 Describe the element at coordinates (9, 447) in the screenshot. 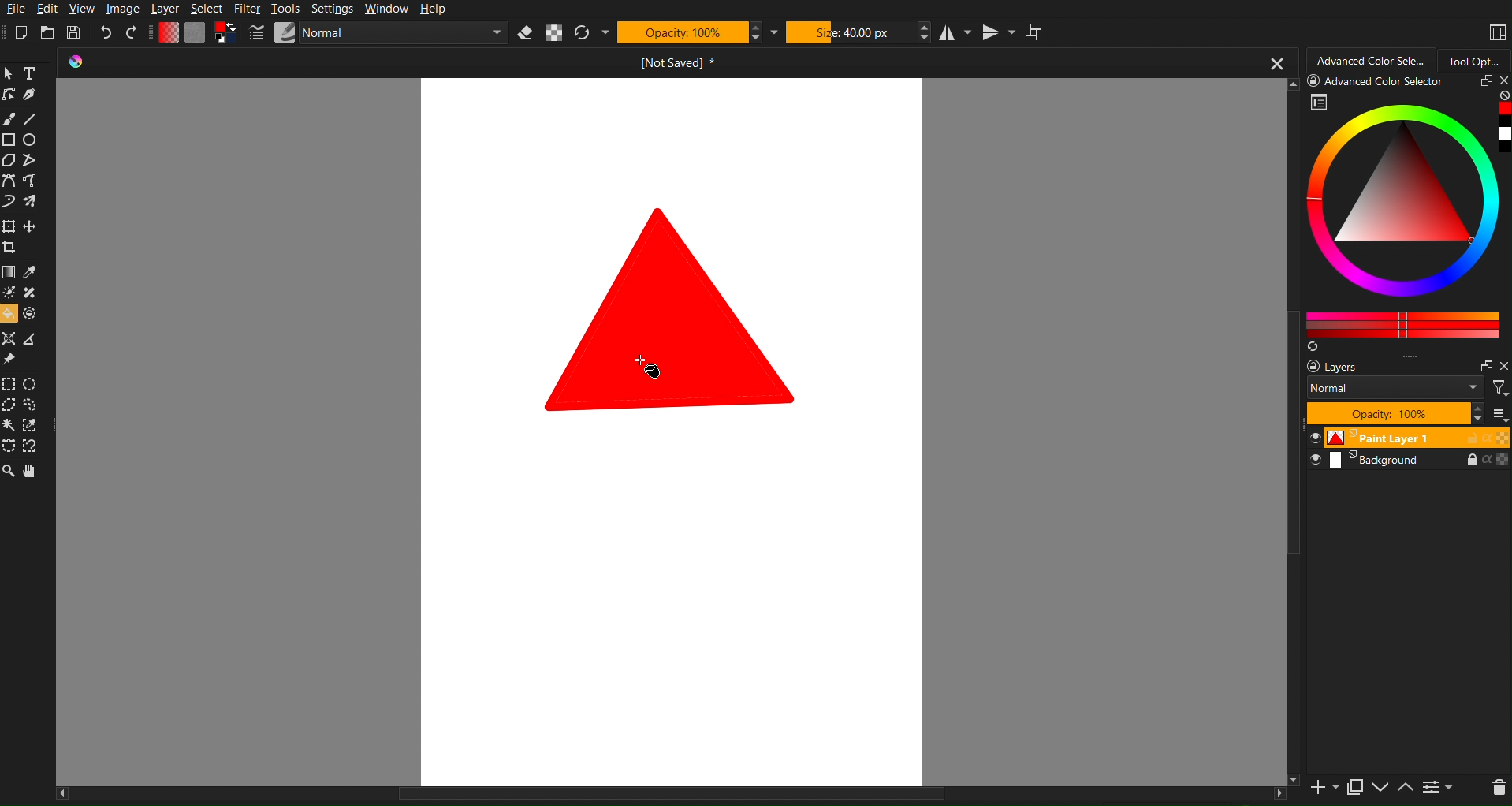

I see `bezier curve Selection Tools` at that location.